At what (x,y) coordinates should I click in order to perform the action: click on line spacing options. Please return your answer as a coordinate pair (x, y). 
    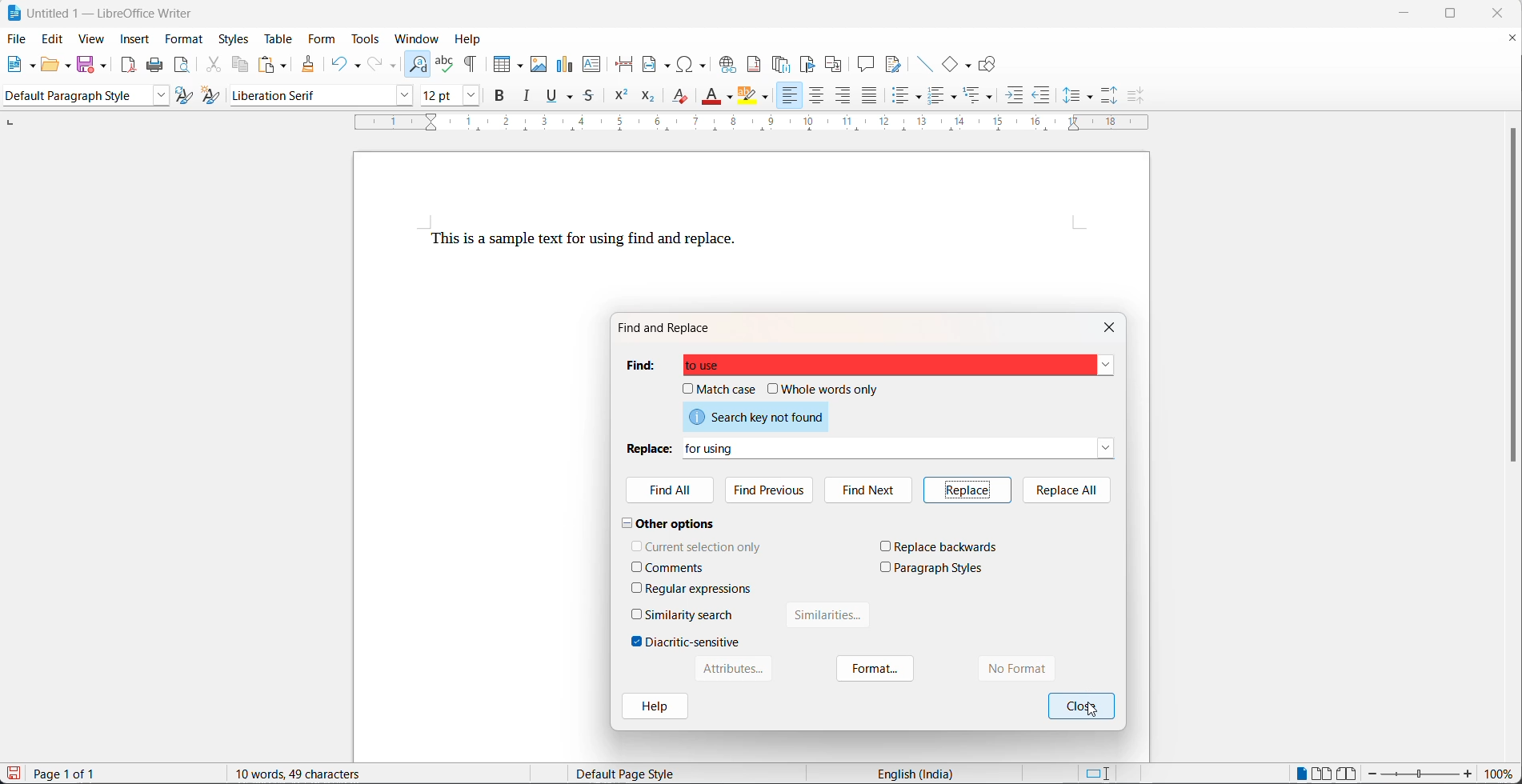
    Looking at the image, I should click on (1071, 96).